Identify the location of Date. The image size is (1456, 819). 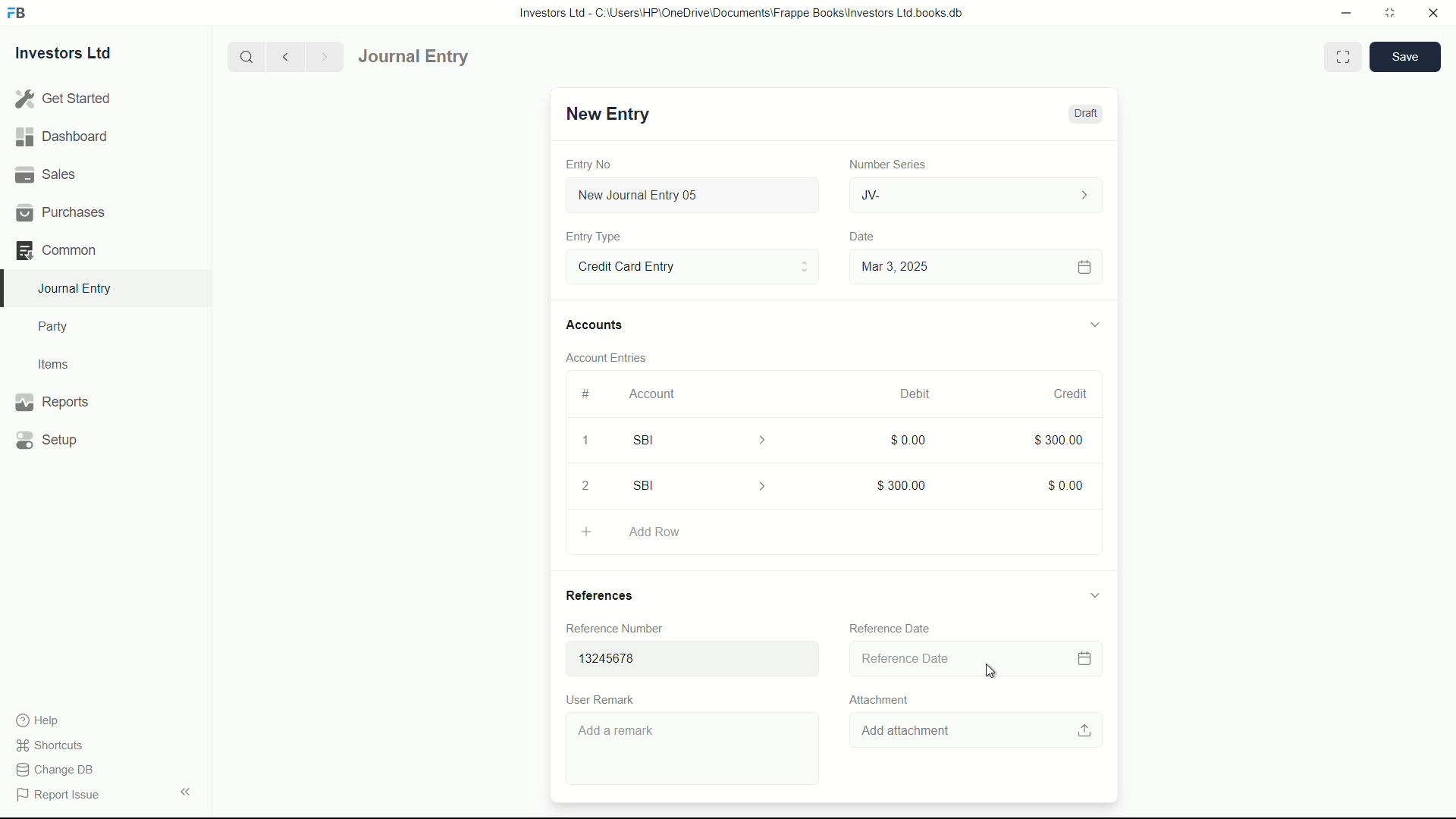
(864, 237).